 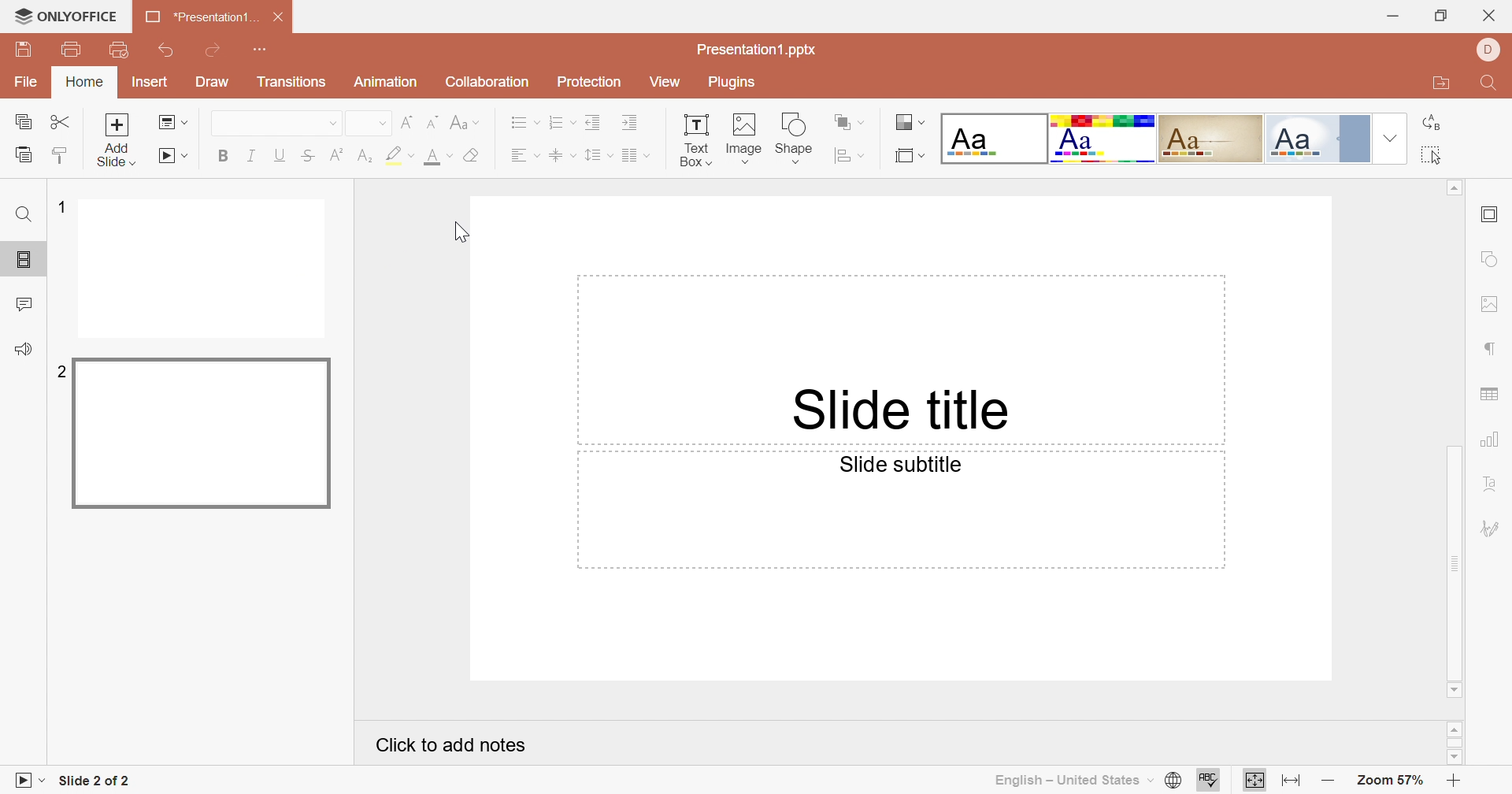 What do you see at coordinates (1316, 139) in the screenshot?
I see `Official` at bounding box center [1316, 139].